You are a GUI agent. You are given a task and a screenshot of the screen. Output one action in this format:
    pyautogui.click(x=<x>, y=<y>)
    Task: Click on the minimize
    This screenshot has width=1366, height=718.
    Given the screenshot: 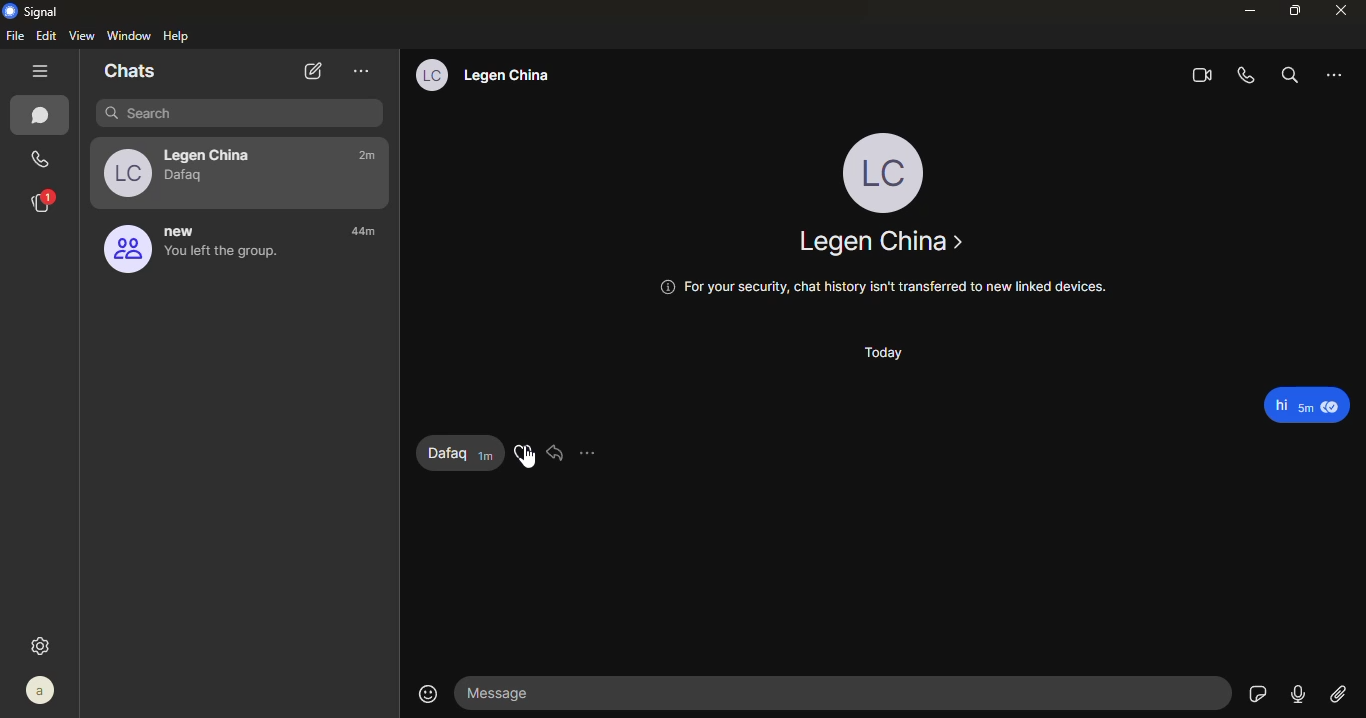 What is the action you would take?
    pyautogui.click(x=1247, y=11)
    